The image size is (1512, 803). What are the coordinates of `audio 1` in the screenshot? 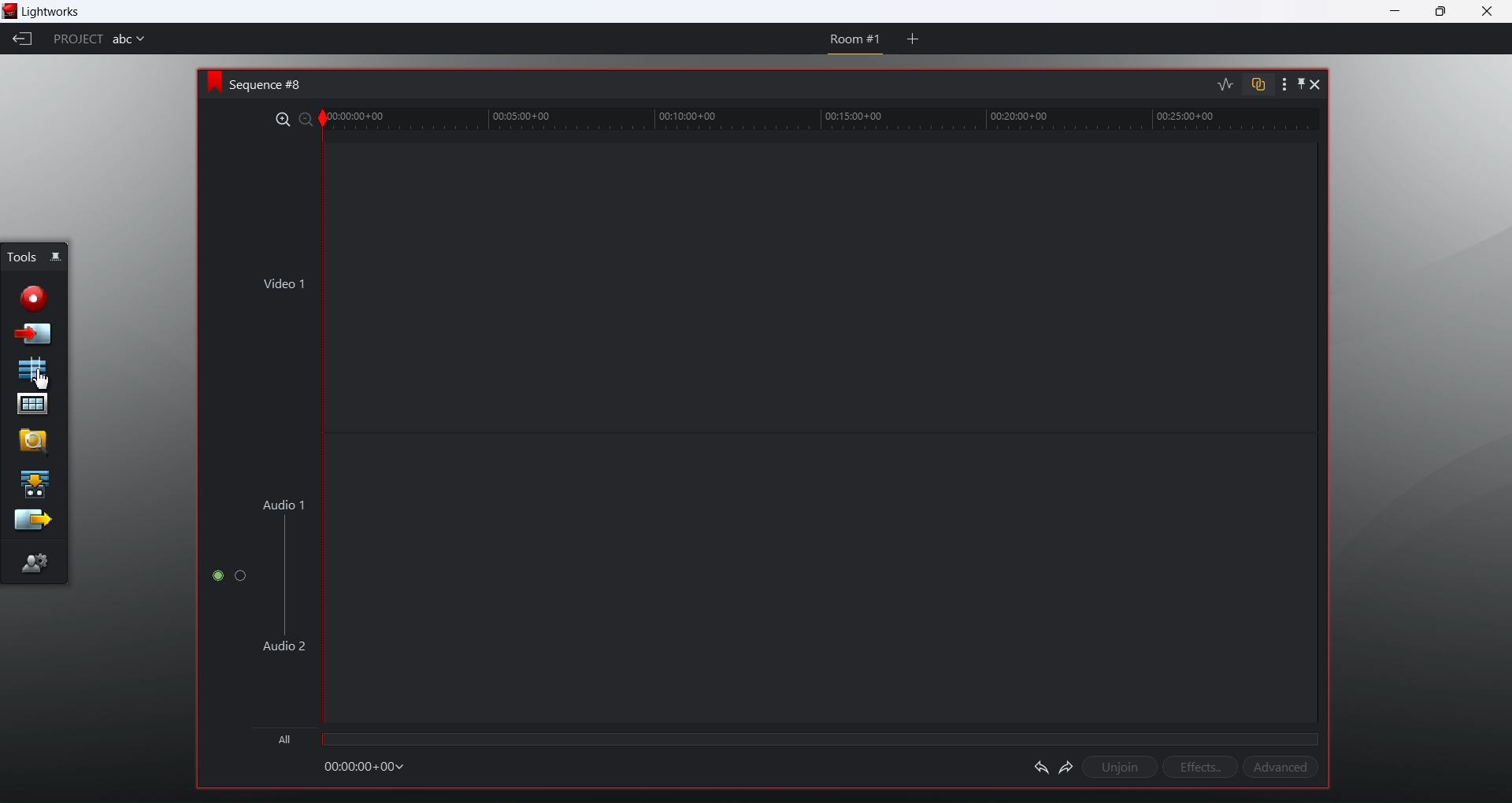 It's located at (283, 502).